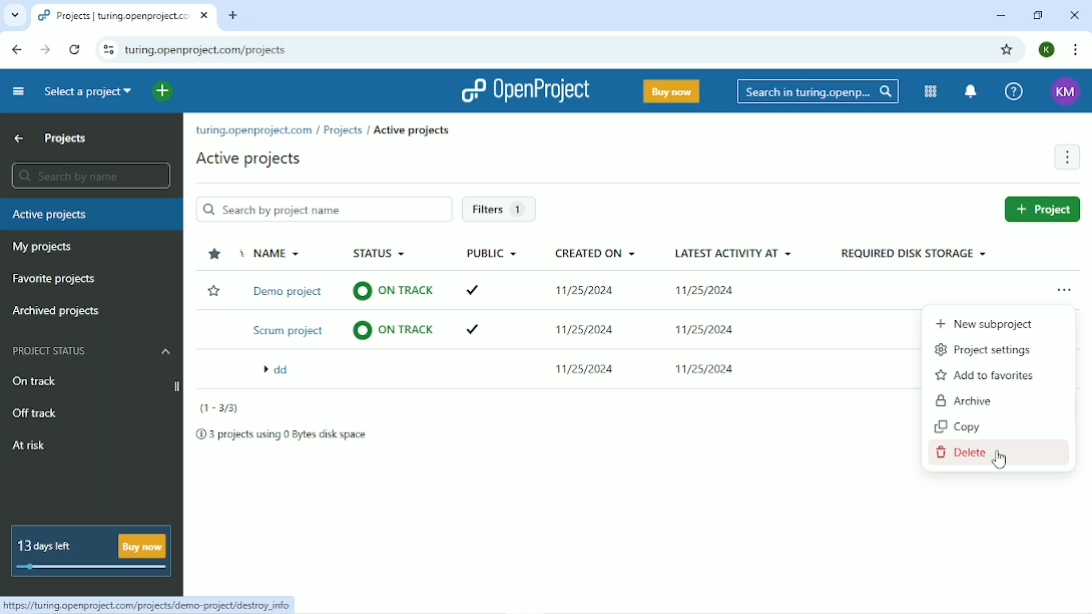 This screenshot has height=614, width=1092. Describe the element at coordinates (92, 551) in the screenshot. I see `13 days left buy now` at that location.